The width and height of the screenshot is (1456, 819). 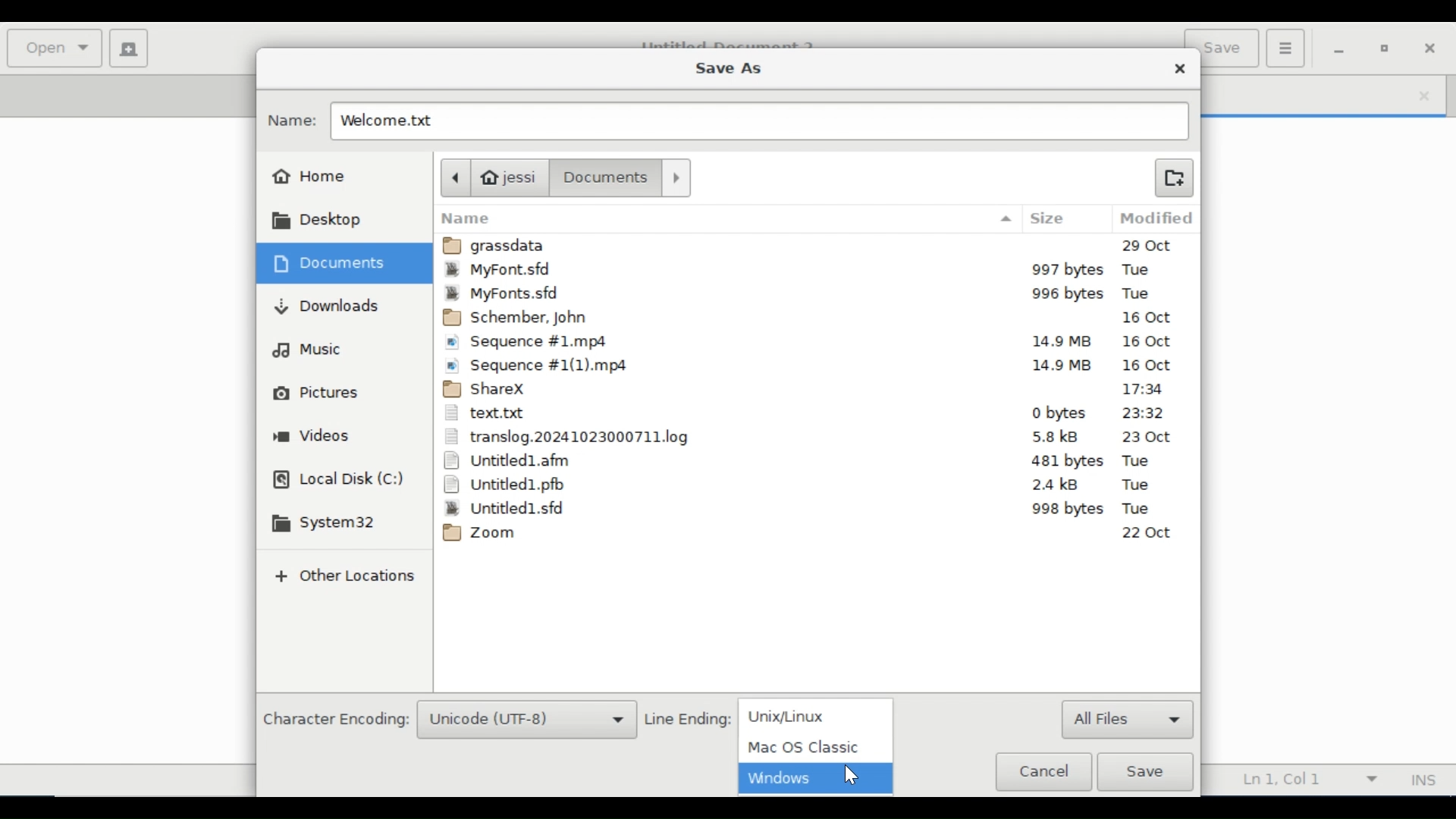 What do you see at coordinates (337, 481) in the screenshot?
I see `Local Disk(C)` at bounding box center [337, 481].